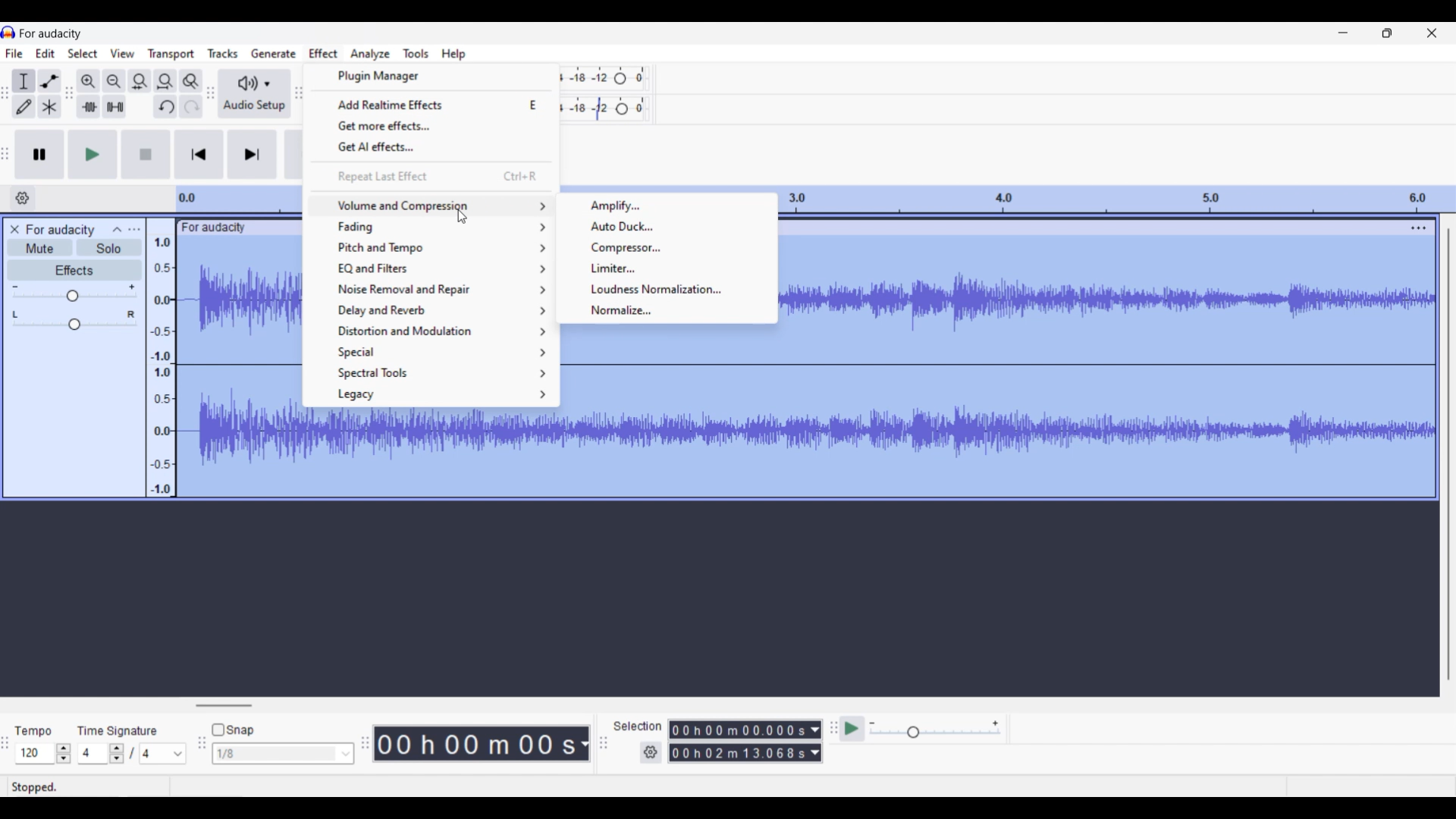 The image size is (1456, 819). Describe the element at coordinates (852, 729) in the screenshot. I see `Play at speed/Play at speed once` at that location.